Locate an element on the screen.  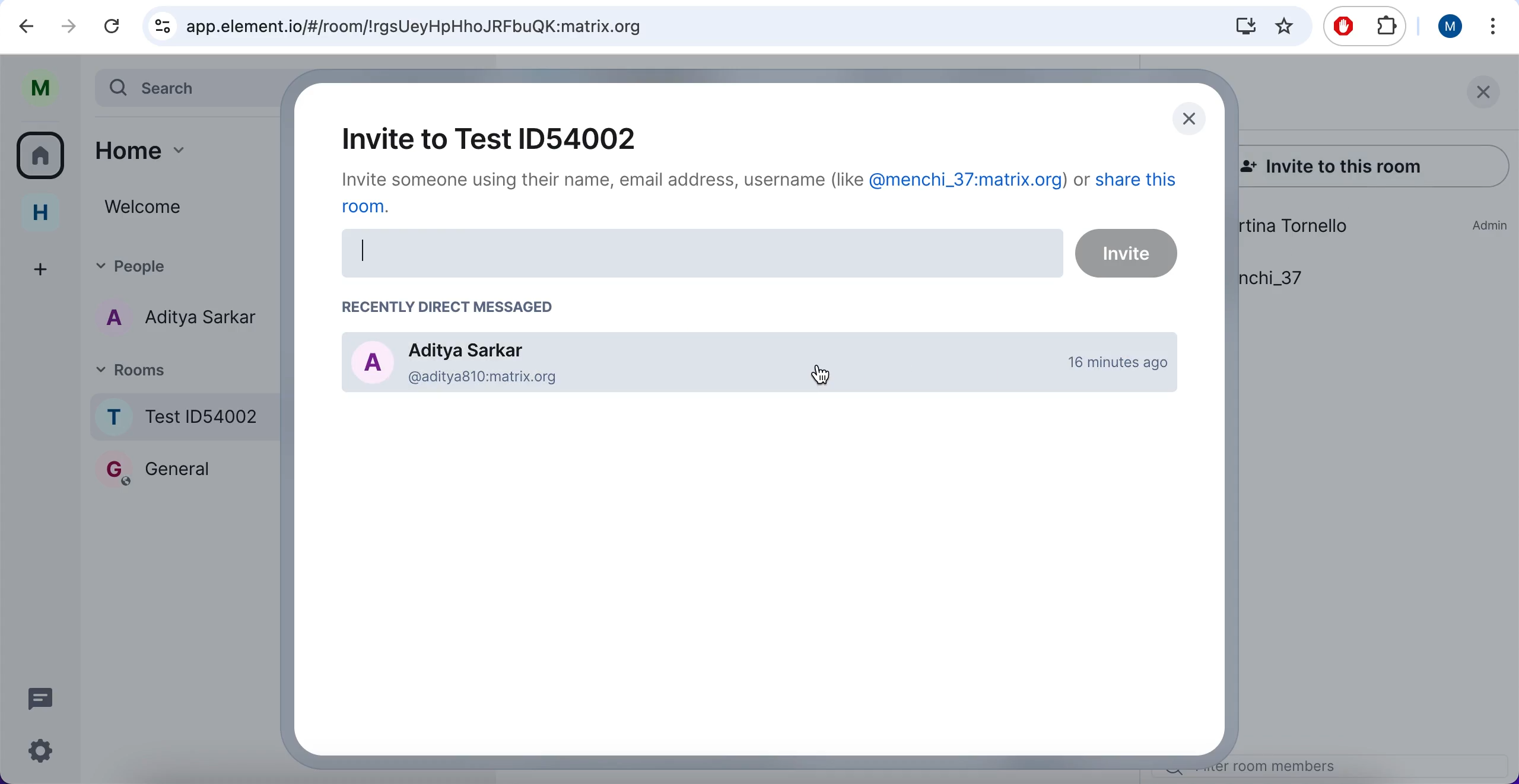
rooms is located at coordinates (192, 473).